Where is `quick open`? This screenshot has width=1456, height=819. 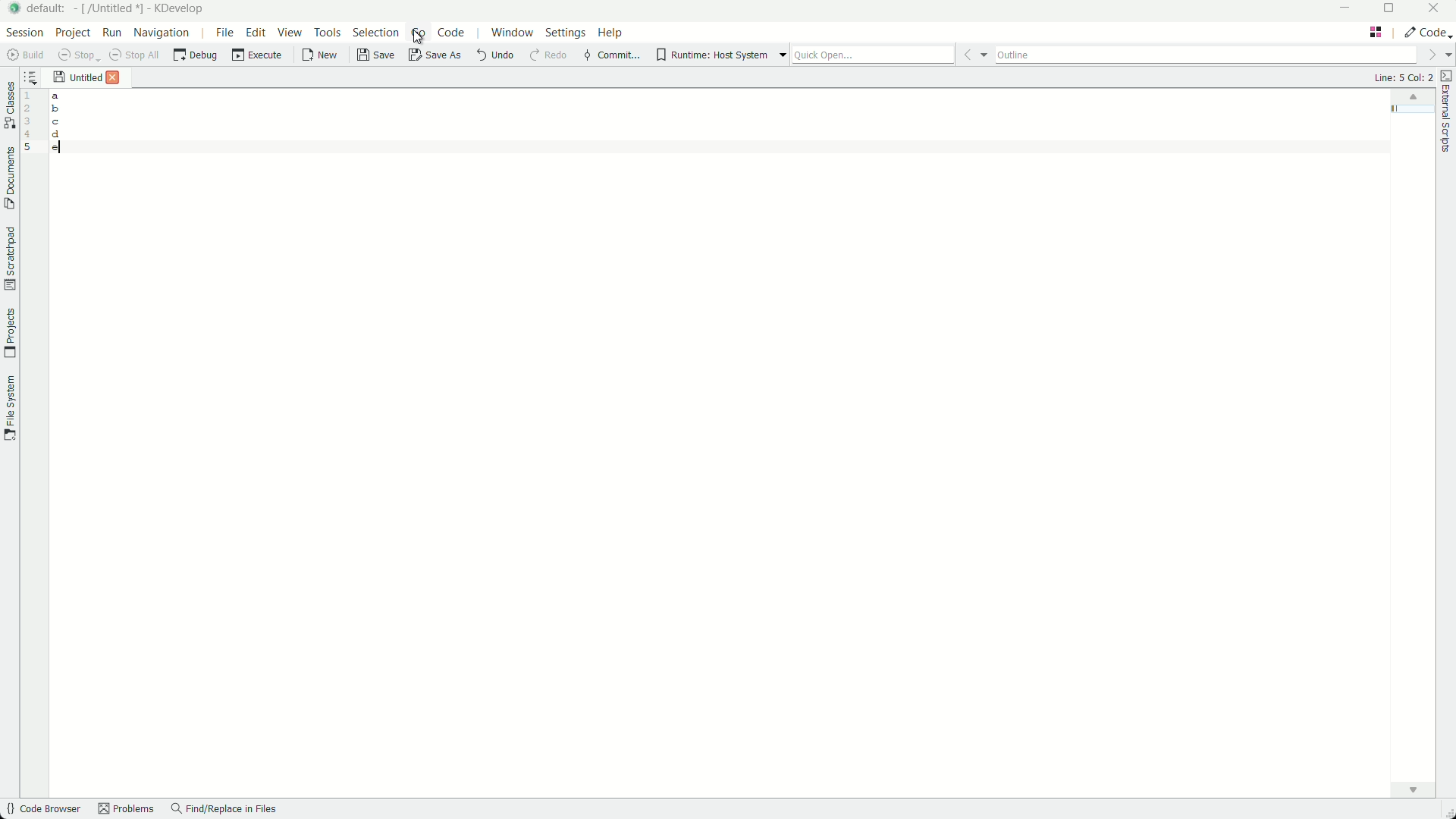 quick open is located at coordinates (893, 54).